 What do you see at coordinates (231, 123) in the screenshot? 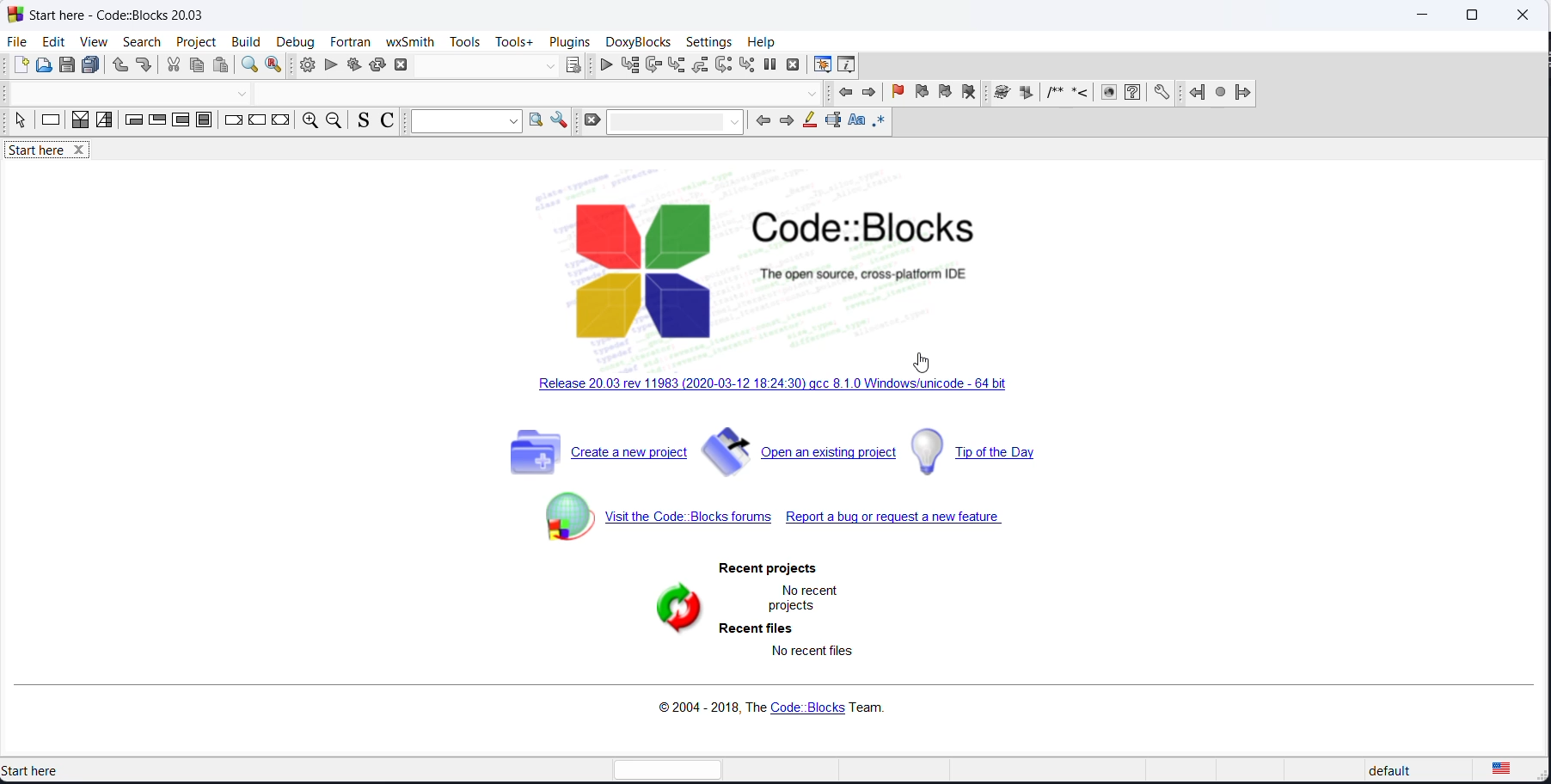
I see `break instruction` at bounding box center [231, 123].